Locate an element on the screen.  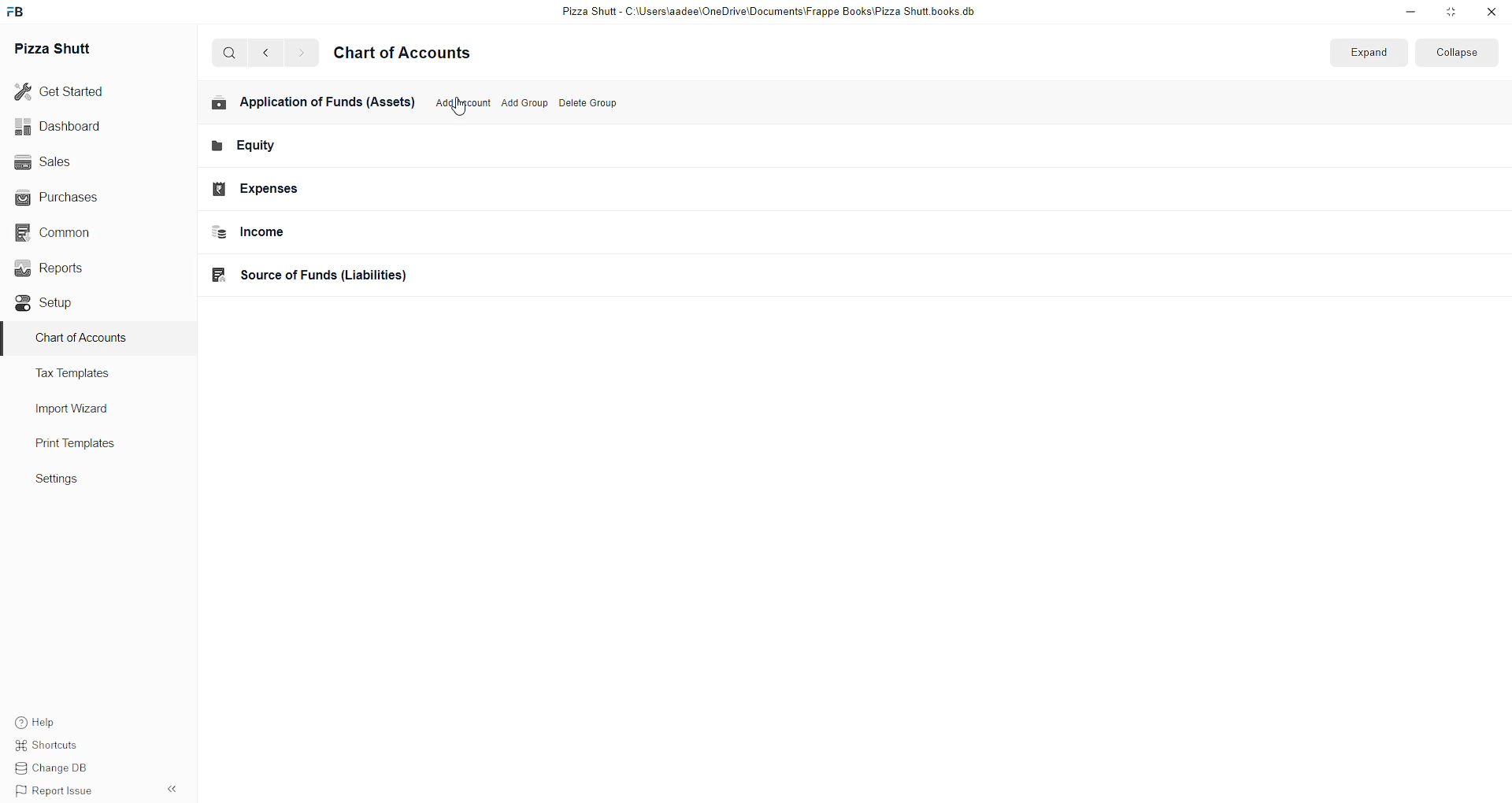
close is located at coordinates (1491, 15).